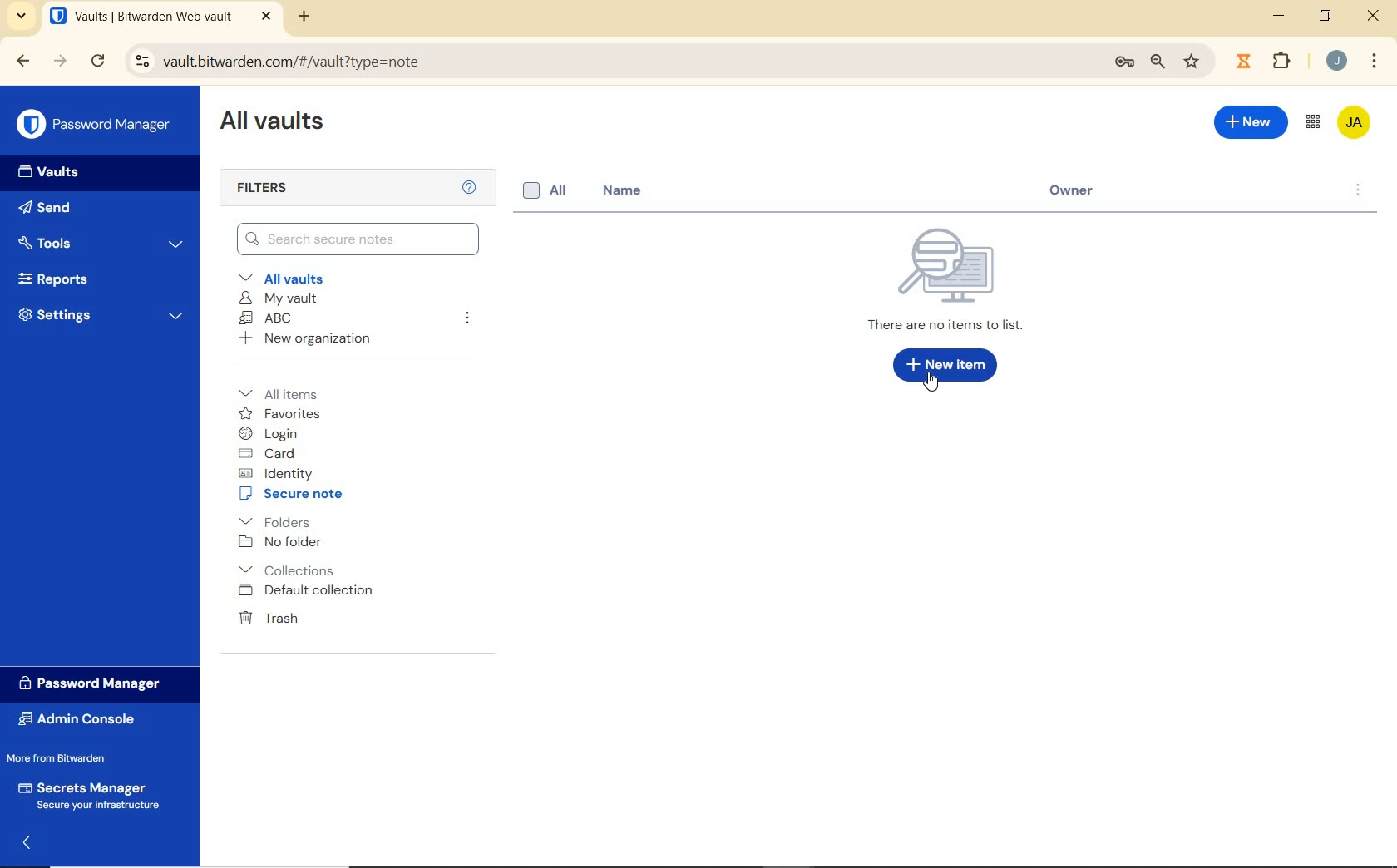 The width and height of the screenshot is (1397, 868). What do you see at coordinates (1079, 191) in the screenshot?
I see `owner` at bounding box center [1079, 191].